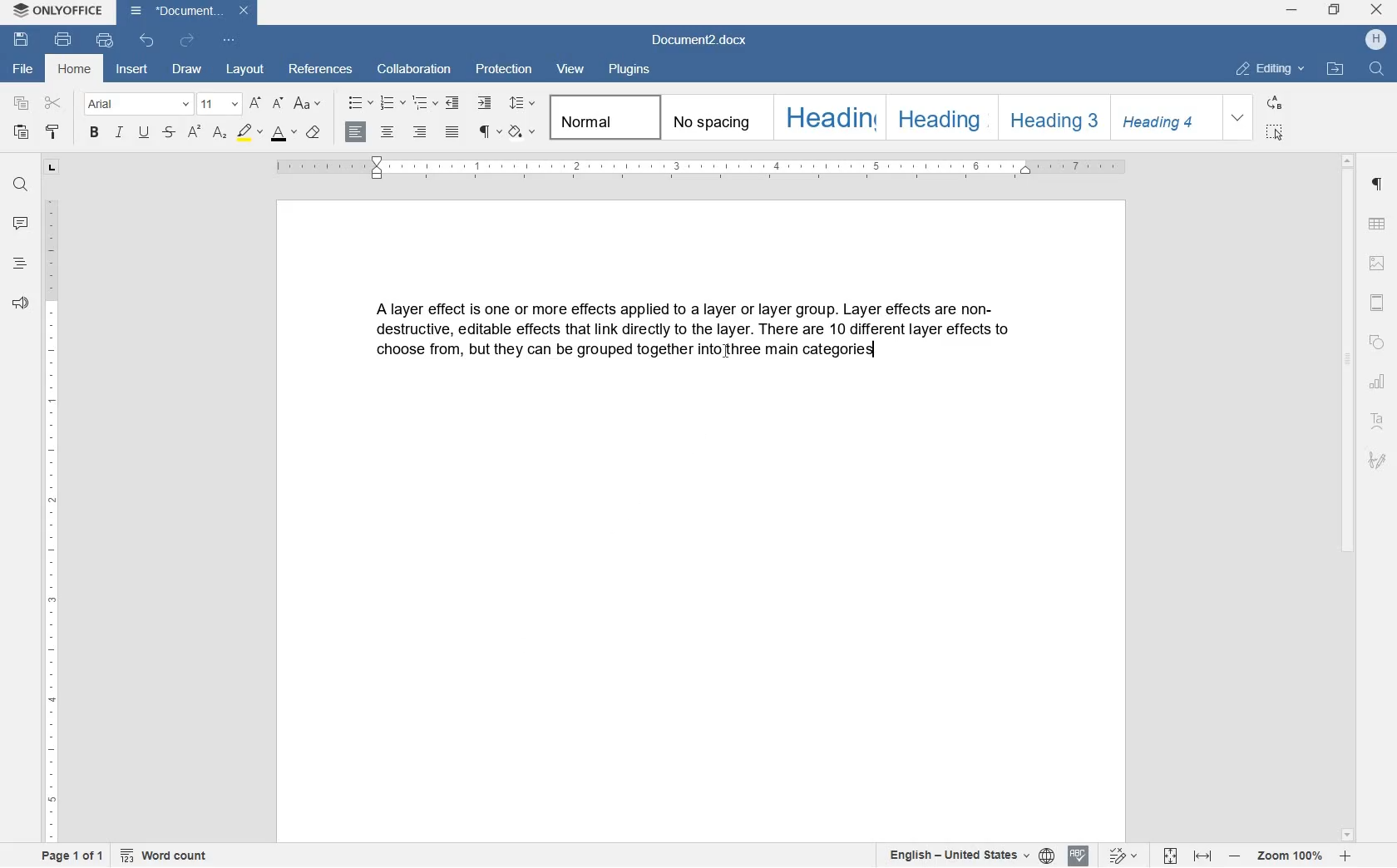  What do you see at coordinates (827, 118) in the screenshot?
I see `heading 1` at bounding box center [827, 118].